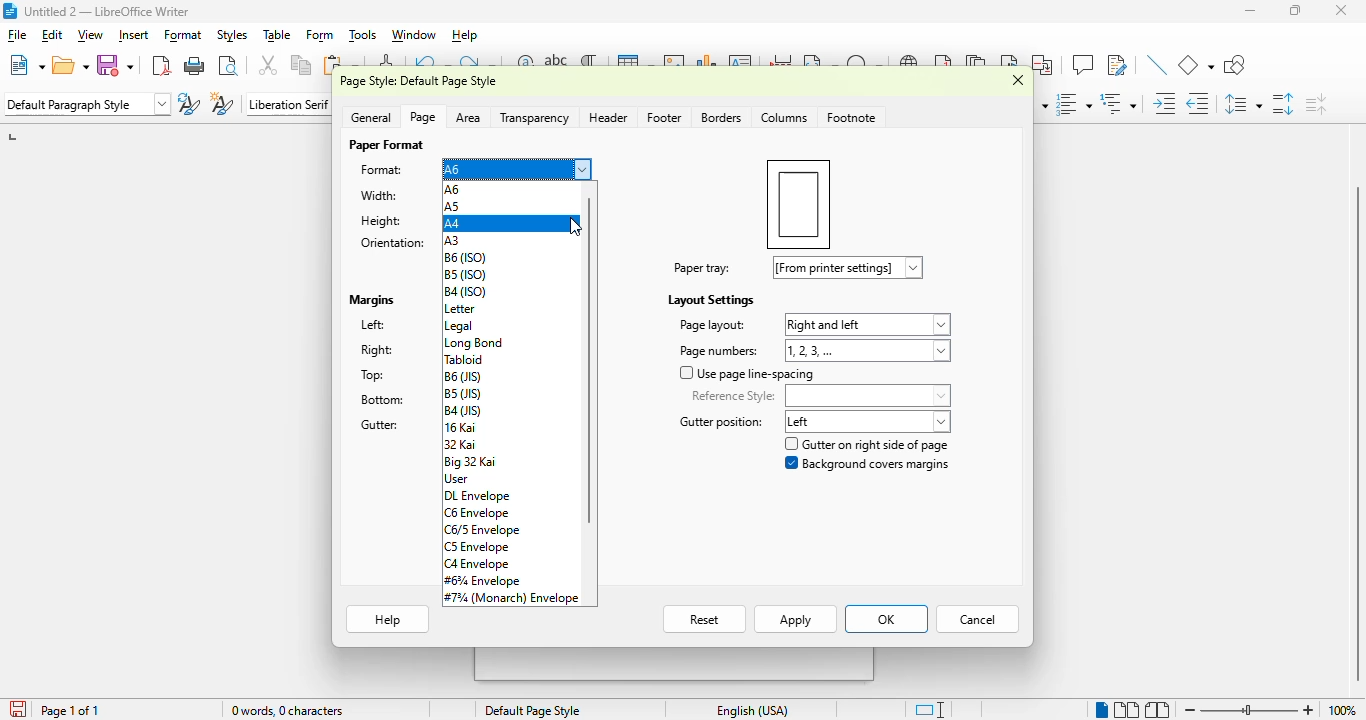 This screenshot has height=720, width=1366. I want to click on text language, so click(753, 710).